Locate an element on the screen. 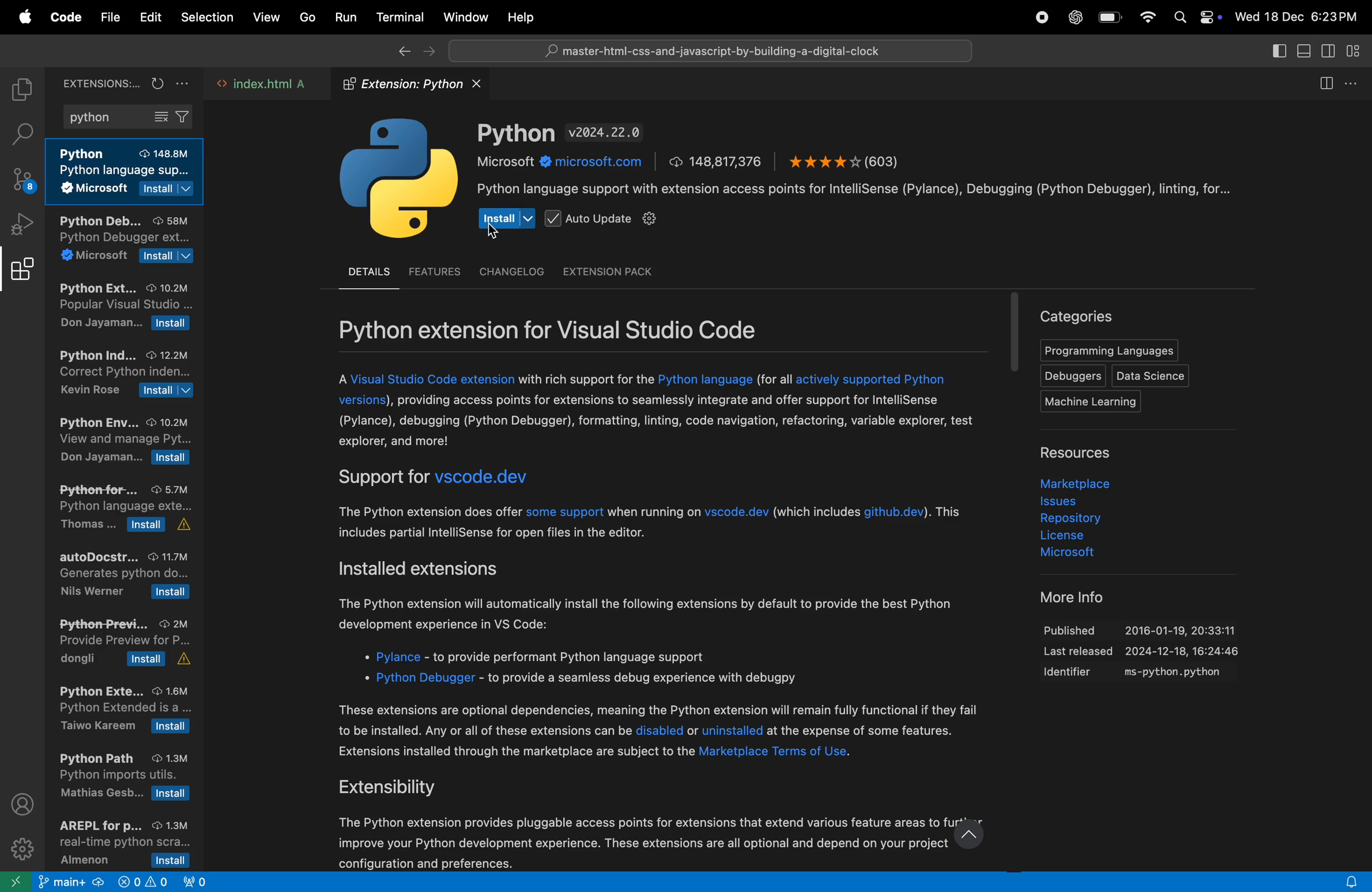 This screenshot has height=892, width=1372. primary side bar is located at coordinates (1279, 51).